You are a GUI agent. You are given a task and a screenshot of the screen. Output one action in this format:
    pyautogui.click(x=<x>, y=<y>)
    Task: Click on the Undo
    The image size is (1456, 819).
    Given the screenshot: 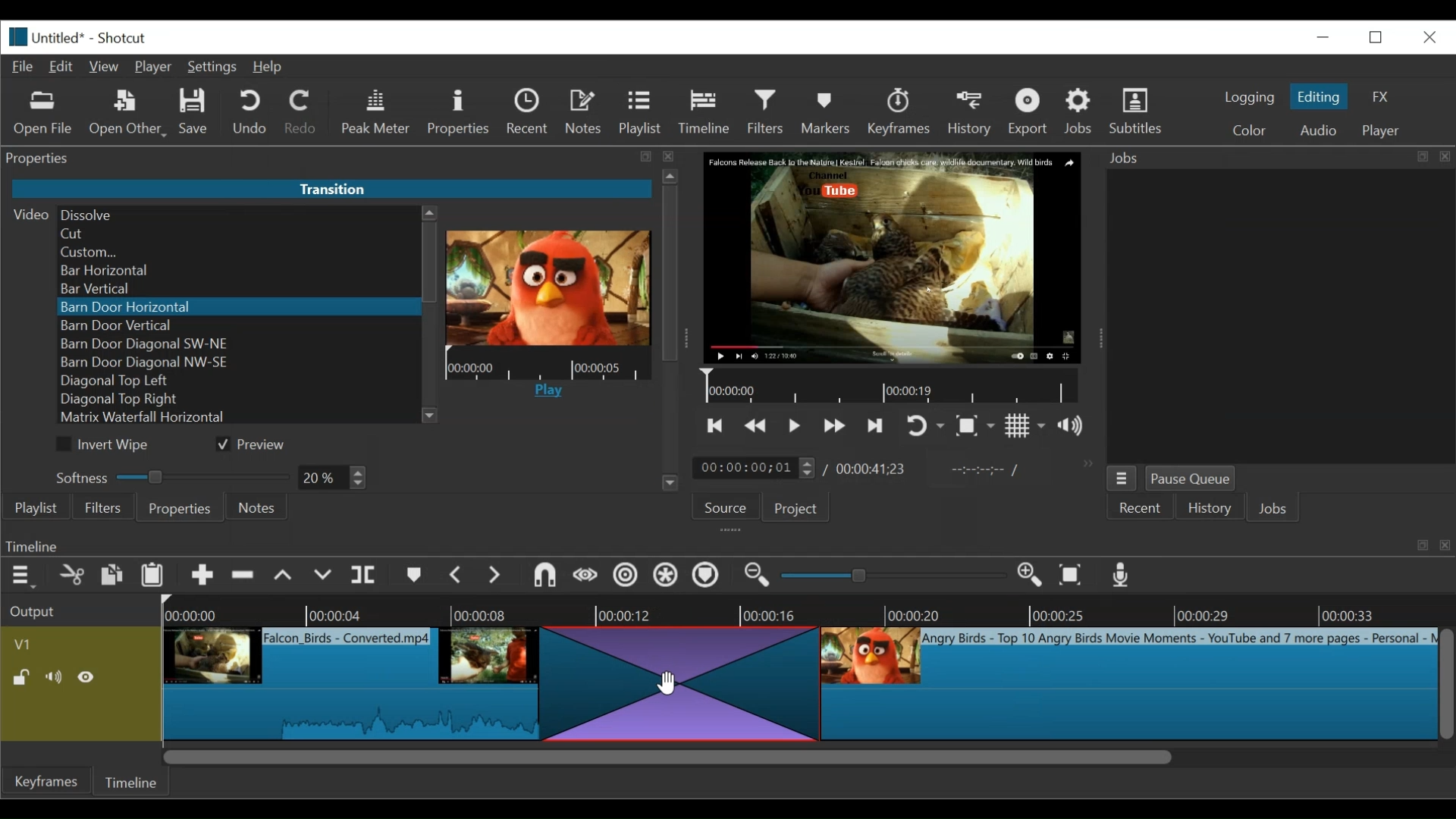 What is the action you would take?
    pyautogui.click(x=249, y=114)
    